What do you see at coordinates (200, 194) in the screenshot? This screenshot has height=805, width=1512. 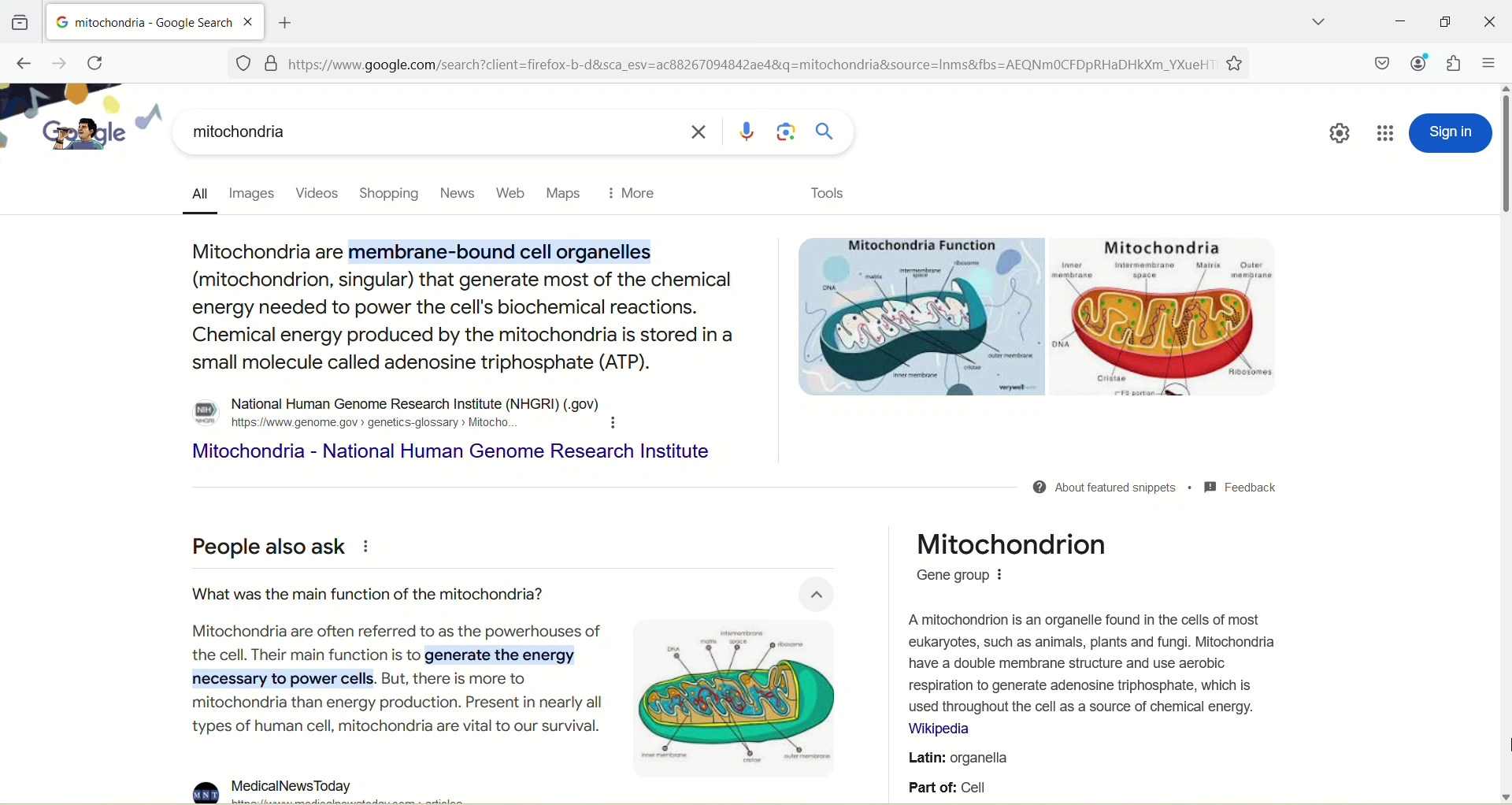 I see `all` at bounding box center [200, 194].